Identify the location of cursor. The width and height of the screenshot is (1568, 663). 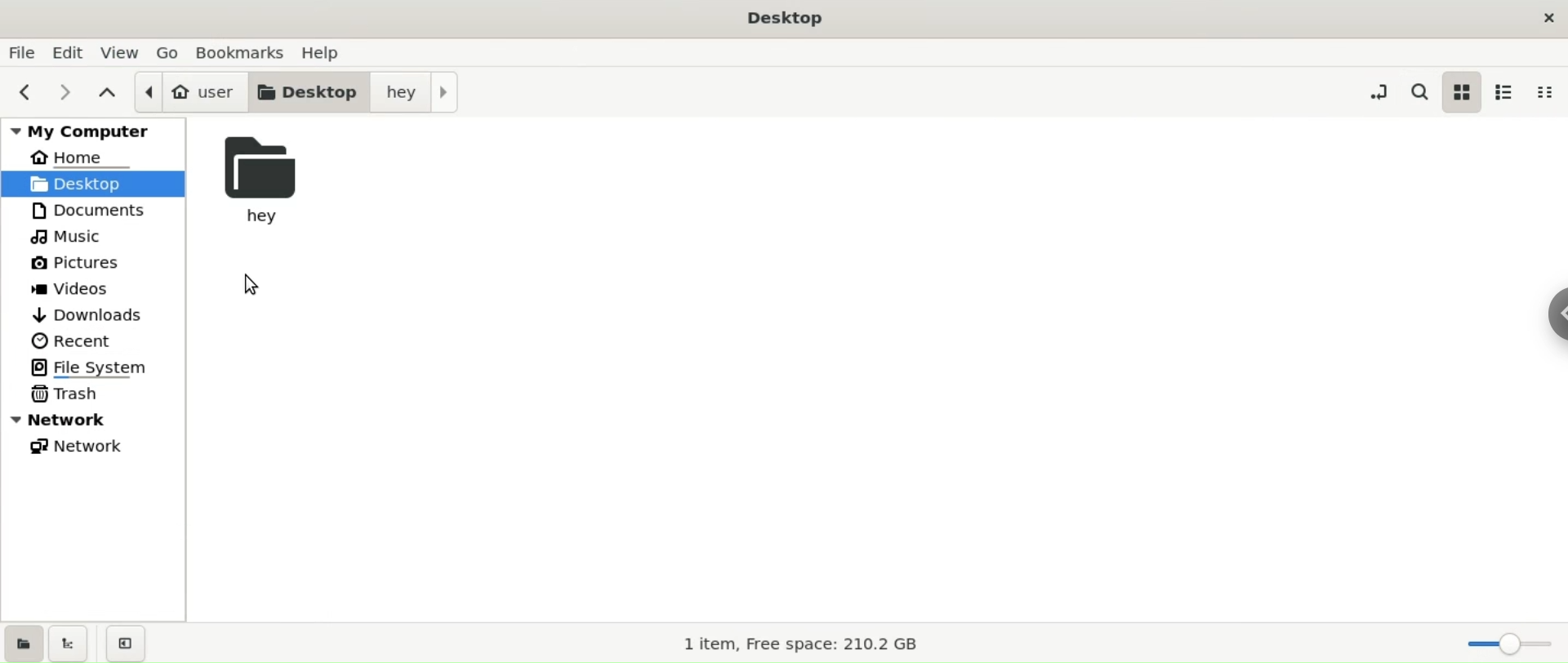
(252, 285).